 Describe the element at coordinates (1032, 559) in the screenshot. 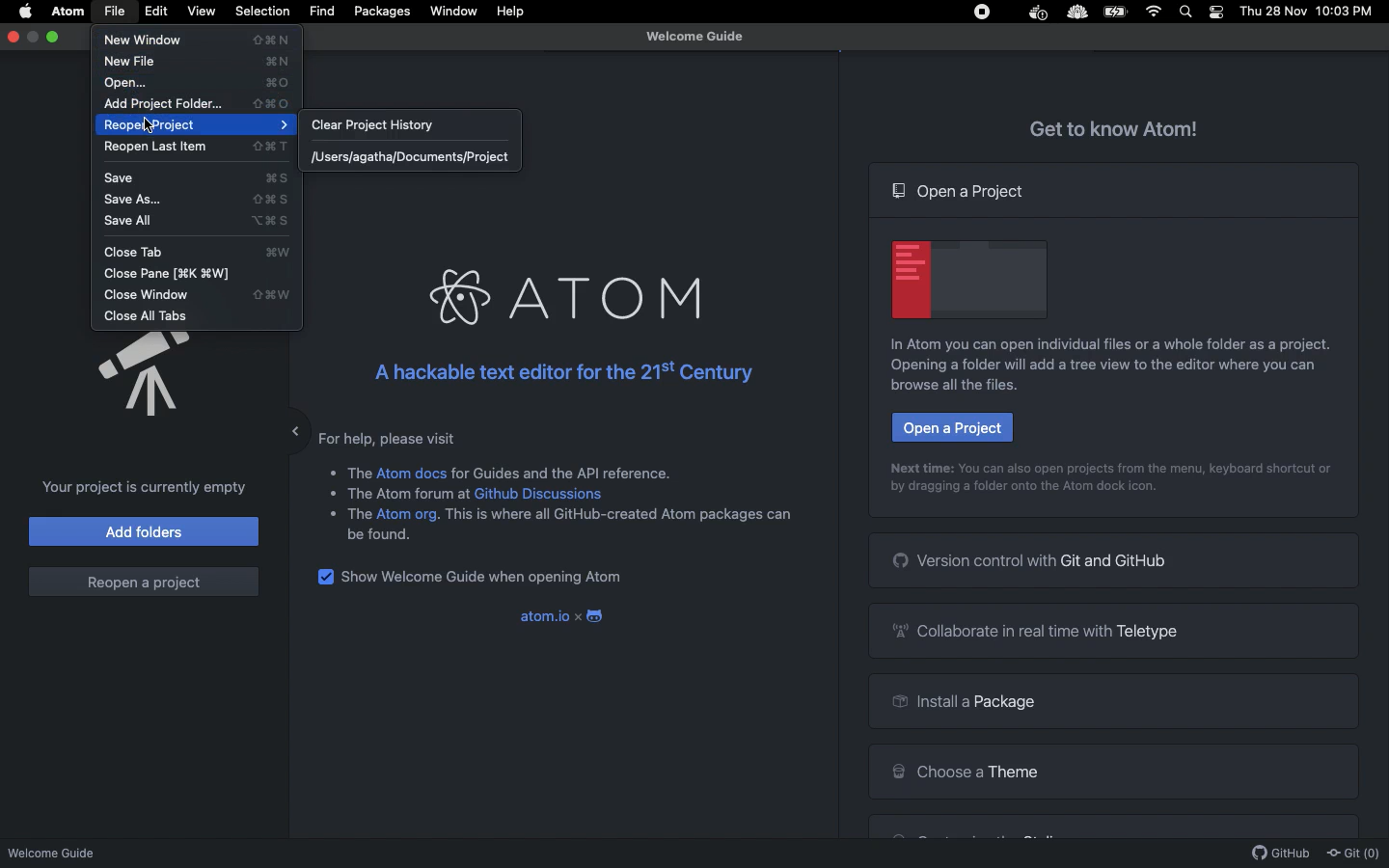

I see `Version control with Git and Github` at that location.